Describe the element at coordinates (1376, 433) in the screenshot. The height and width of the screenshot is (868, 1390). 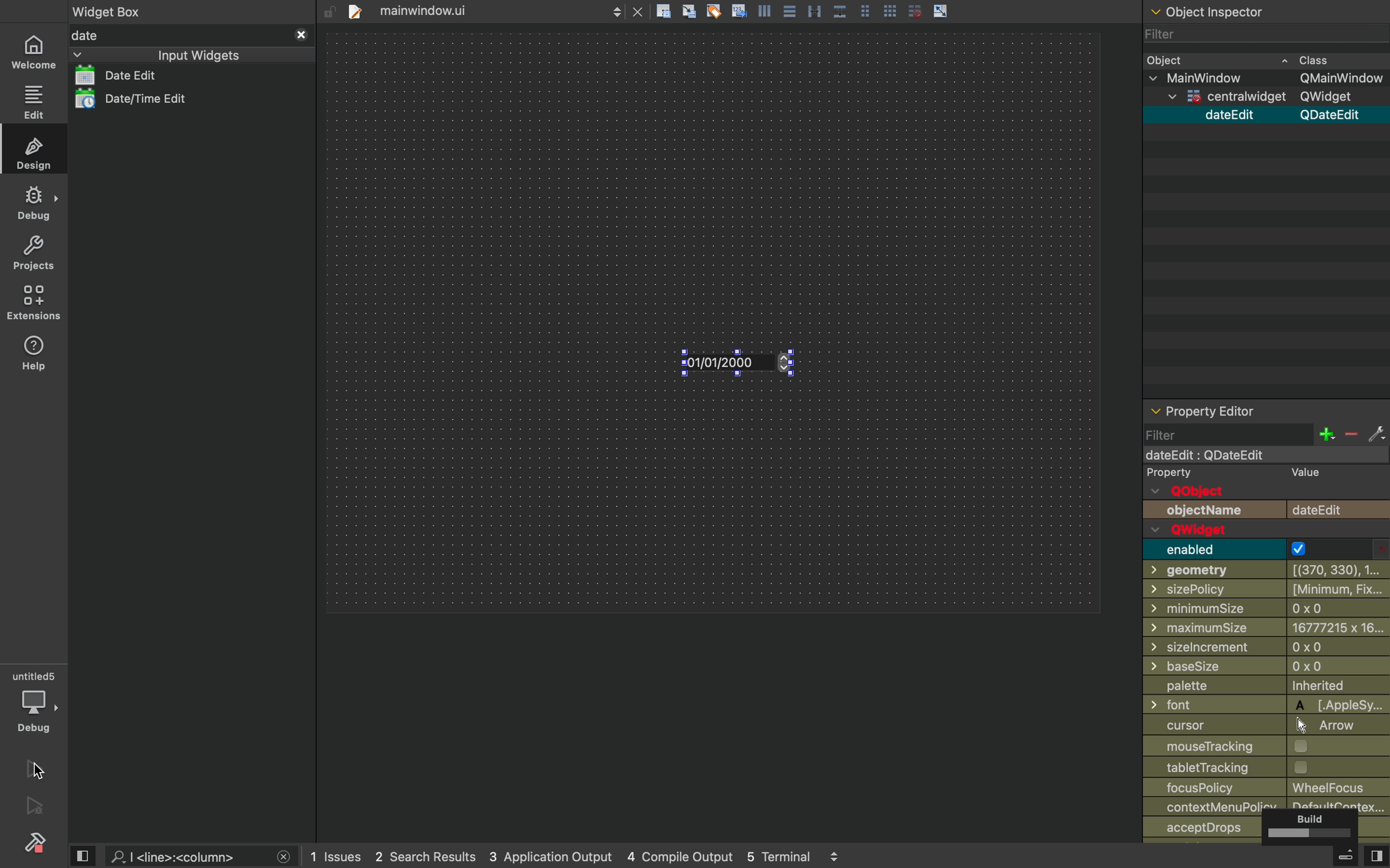
I see `settings` at that location.